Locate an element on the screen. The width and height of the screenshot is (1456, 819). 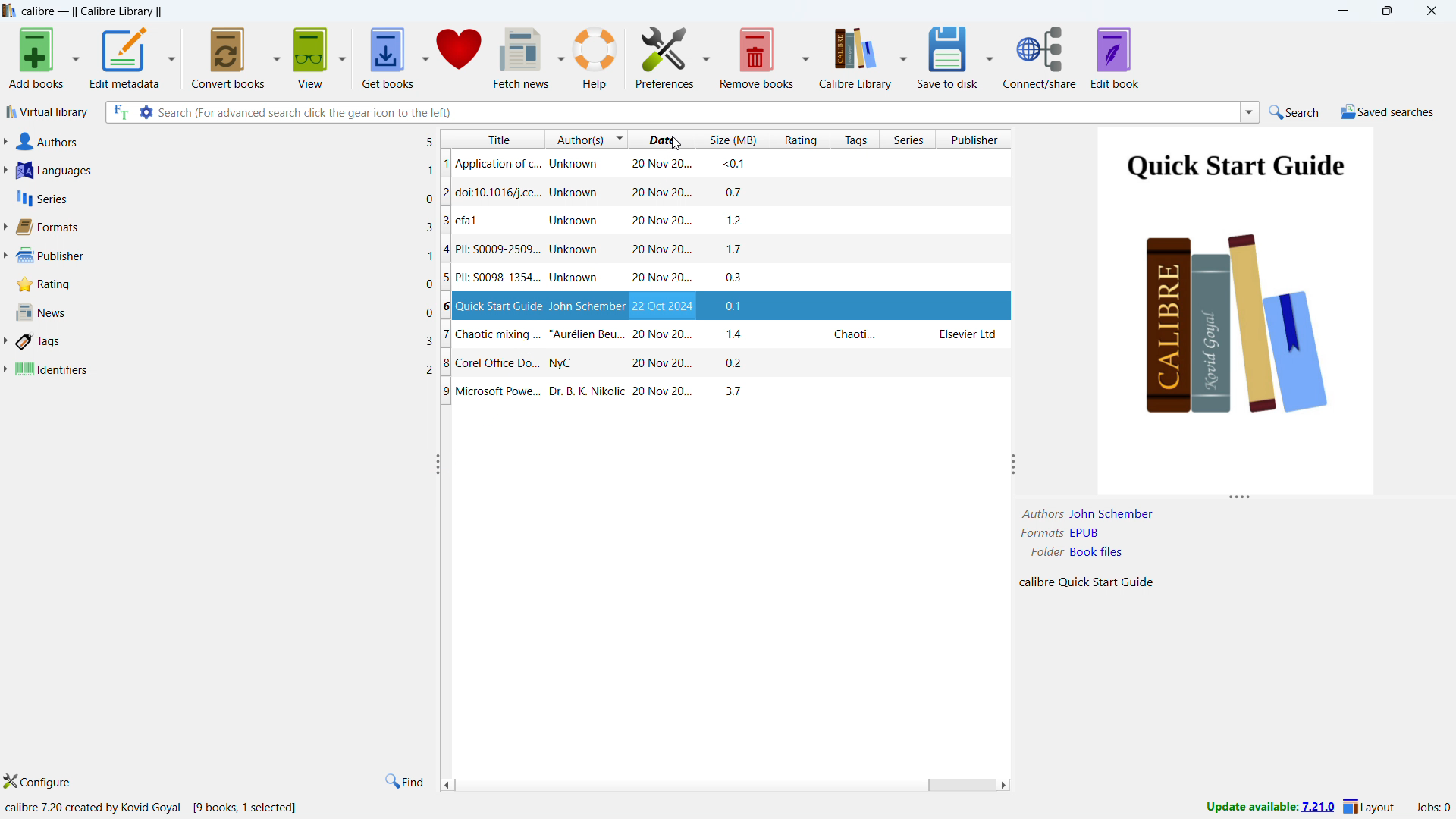
help is located at coordinates (596, 57).